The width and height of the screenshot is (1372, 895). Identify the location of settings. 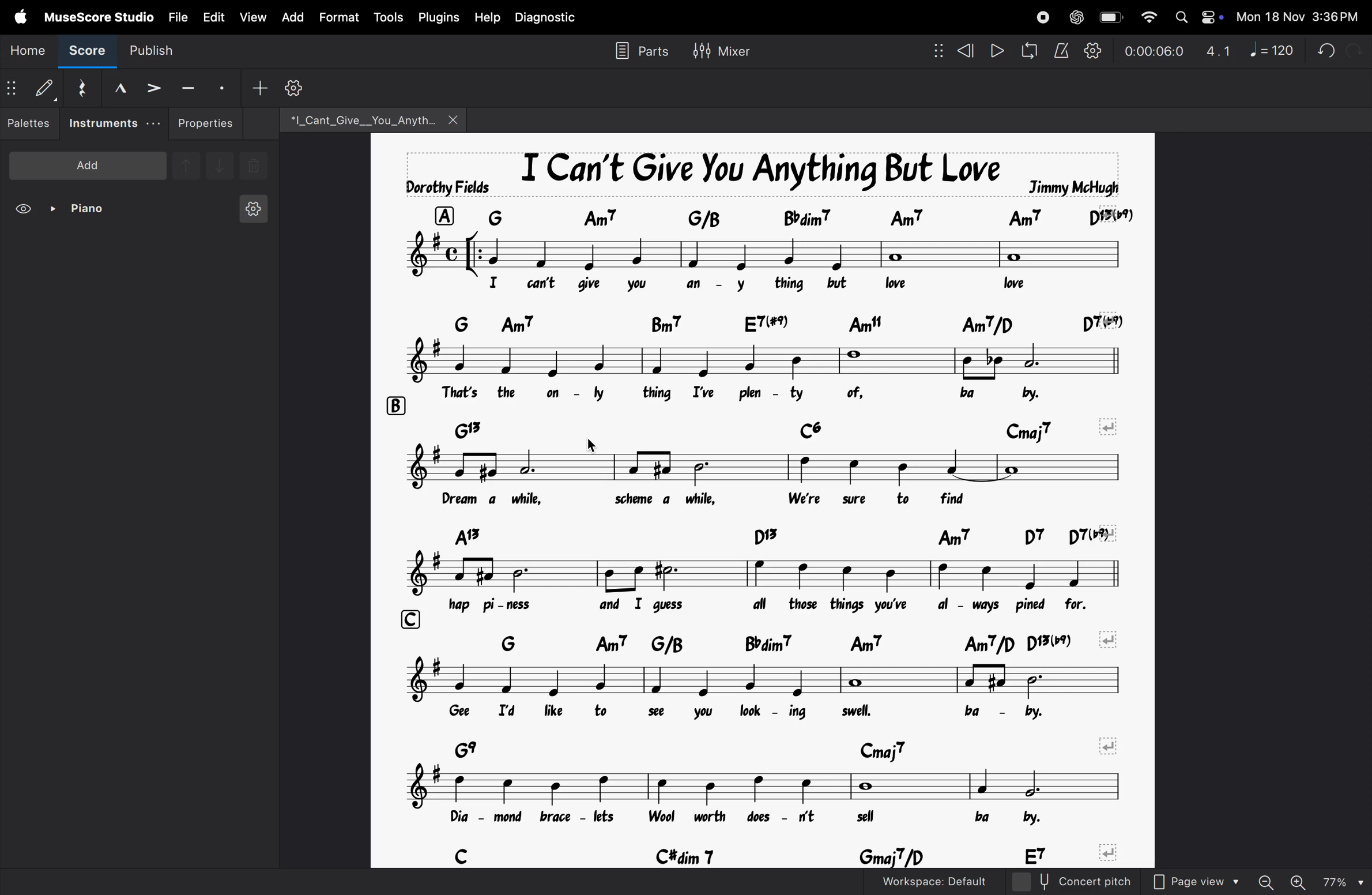
(293, 88).